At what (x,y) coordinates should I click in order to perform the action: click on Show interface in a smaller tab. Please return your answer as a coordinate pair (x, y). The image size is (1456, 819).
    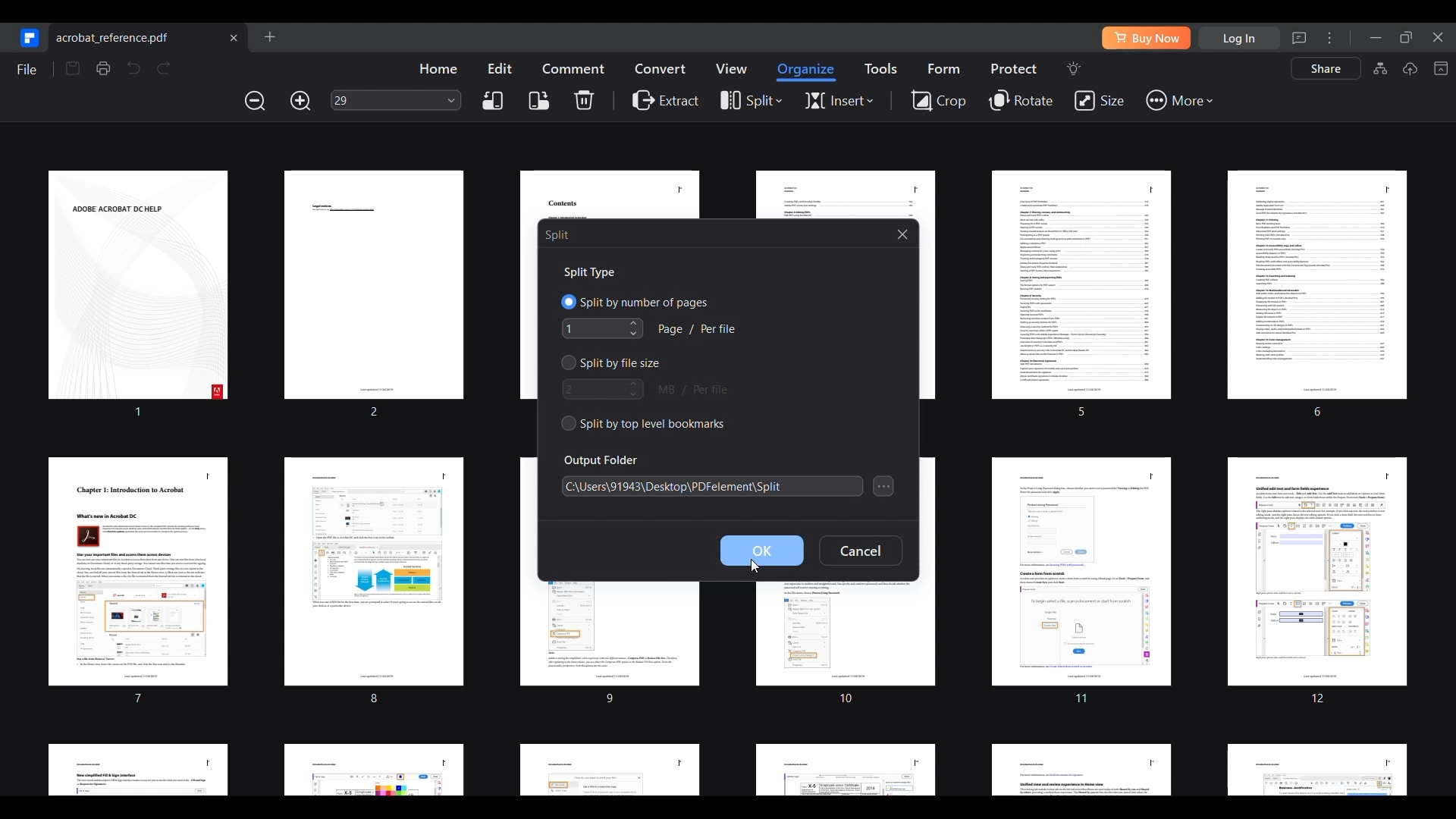
    Looking at the image, I should click on (1405, 37).